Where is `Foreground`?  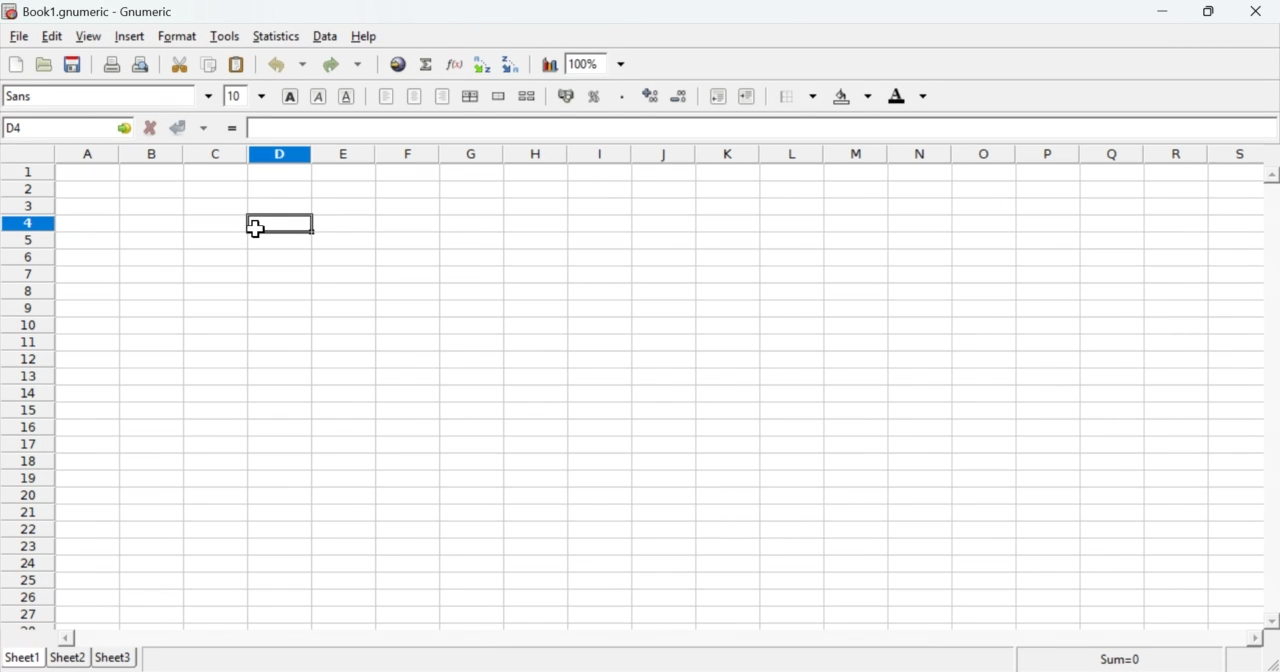
Foreground is located at coordinates (911, 95).